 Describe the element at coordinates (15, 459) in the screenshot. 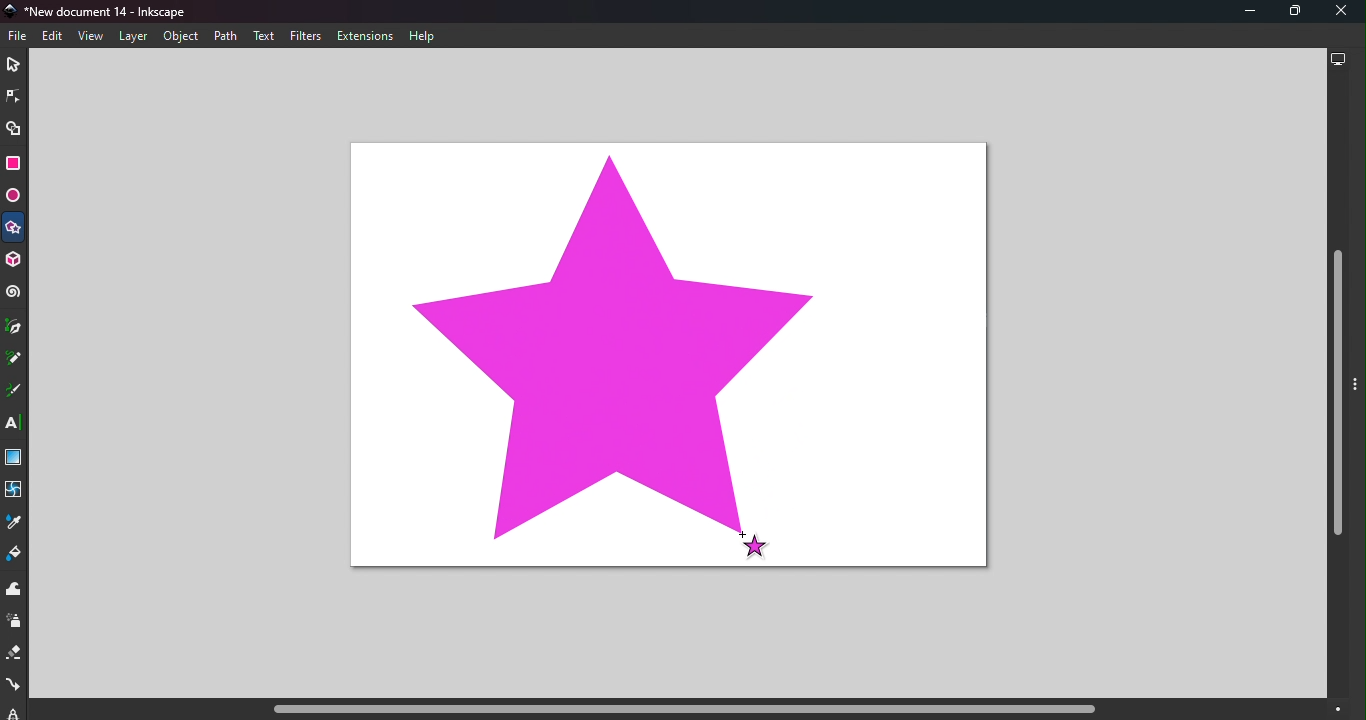

I see `Gradient tool` at that location.